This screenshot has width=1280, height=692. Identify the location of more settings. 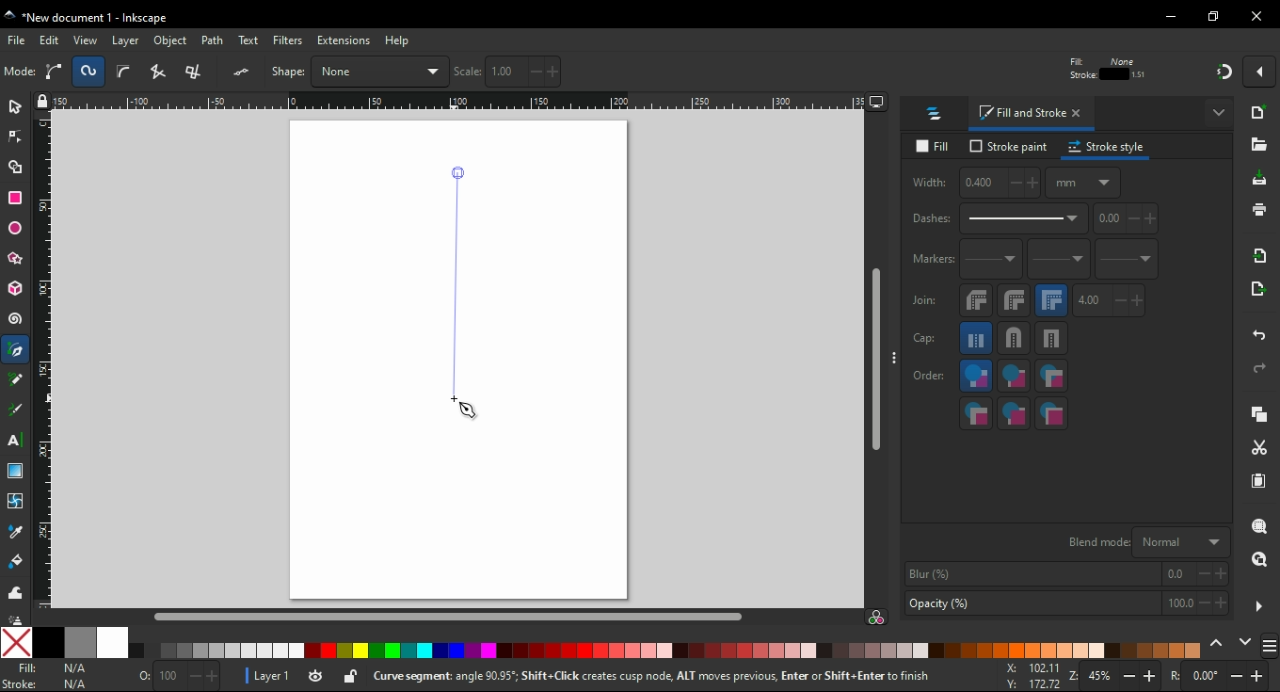
(1259, 607).